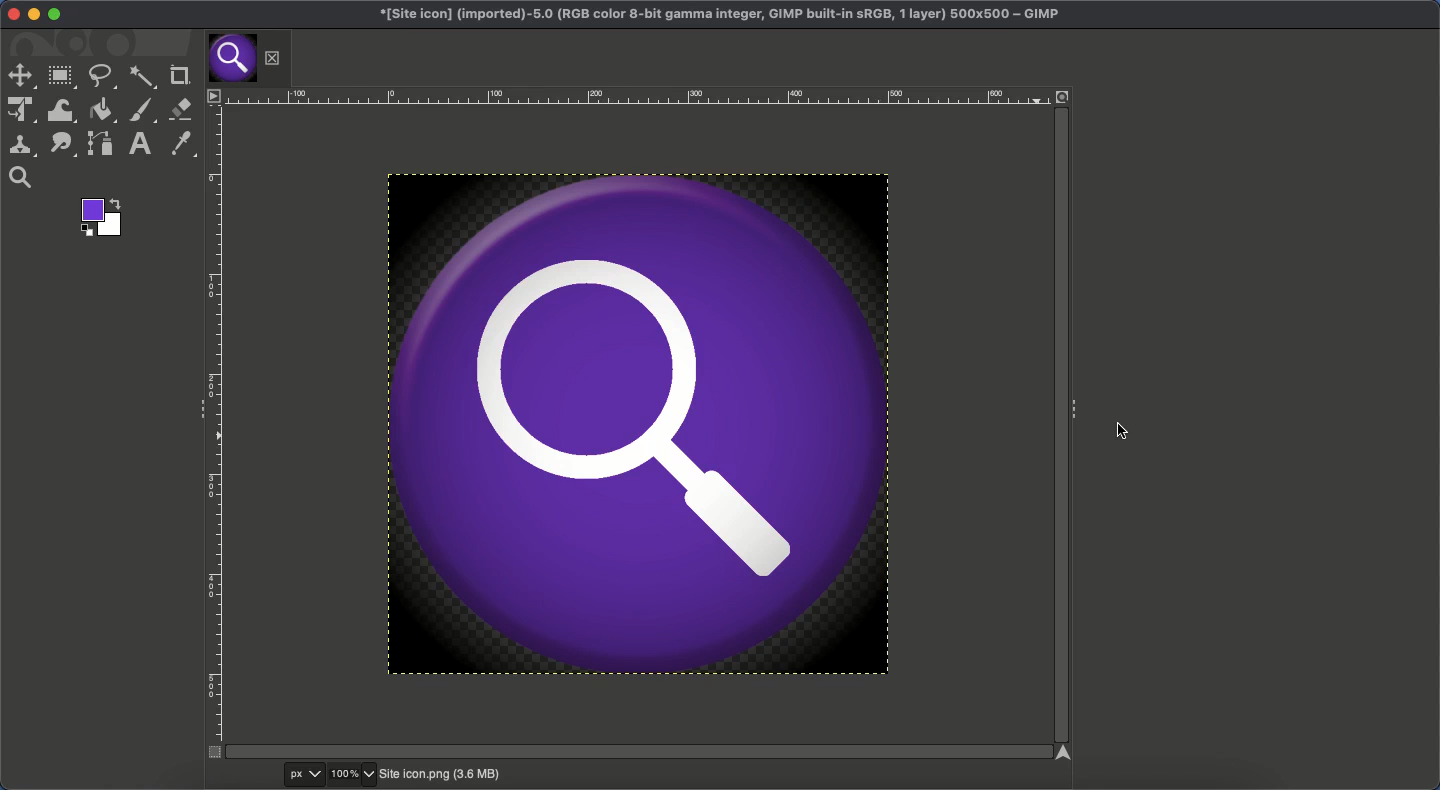  What do you see at coordinates (101, 143) in the screenshot?
I see `Path` at bounding box center [101, 143].